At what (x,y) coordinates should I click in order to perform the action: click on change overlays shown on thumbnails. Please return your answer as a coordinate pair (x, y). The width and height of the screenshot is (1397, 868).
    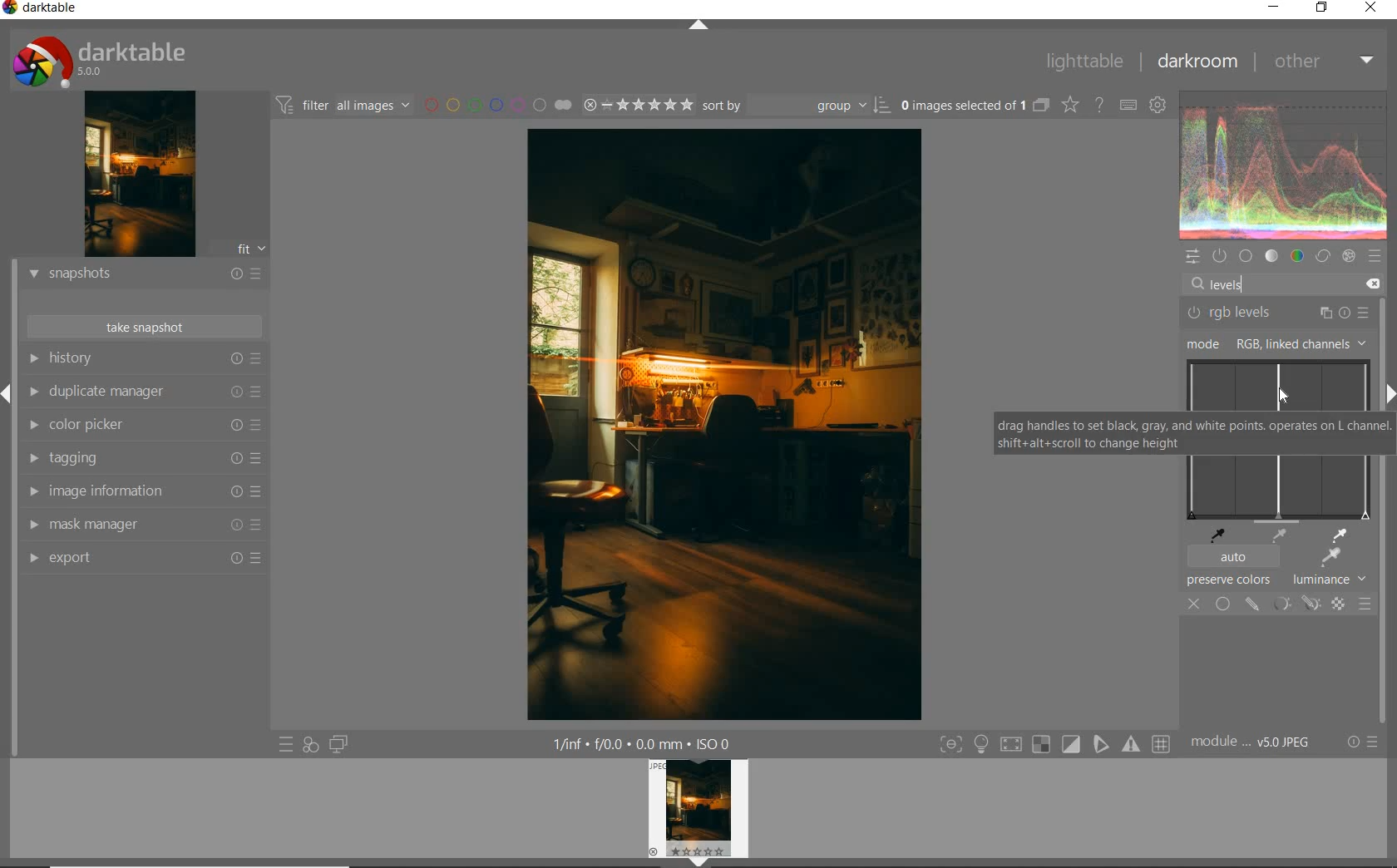
    Looking at the image, I should click on (1071, 106).